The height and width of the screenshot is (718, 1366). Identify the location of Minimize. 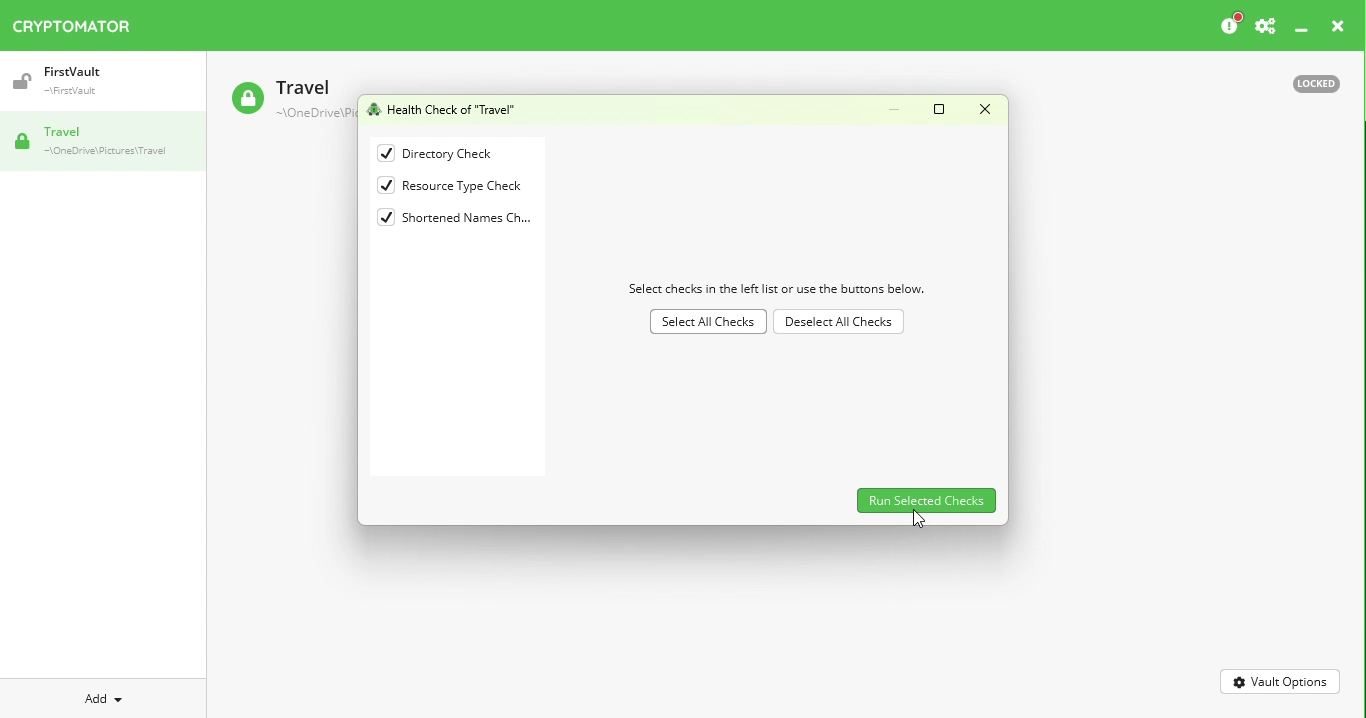
(896, 109).